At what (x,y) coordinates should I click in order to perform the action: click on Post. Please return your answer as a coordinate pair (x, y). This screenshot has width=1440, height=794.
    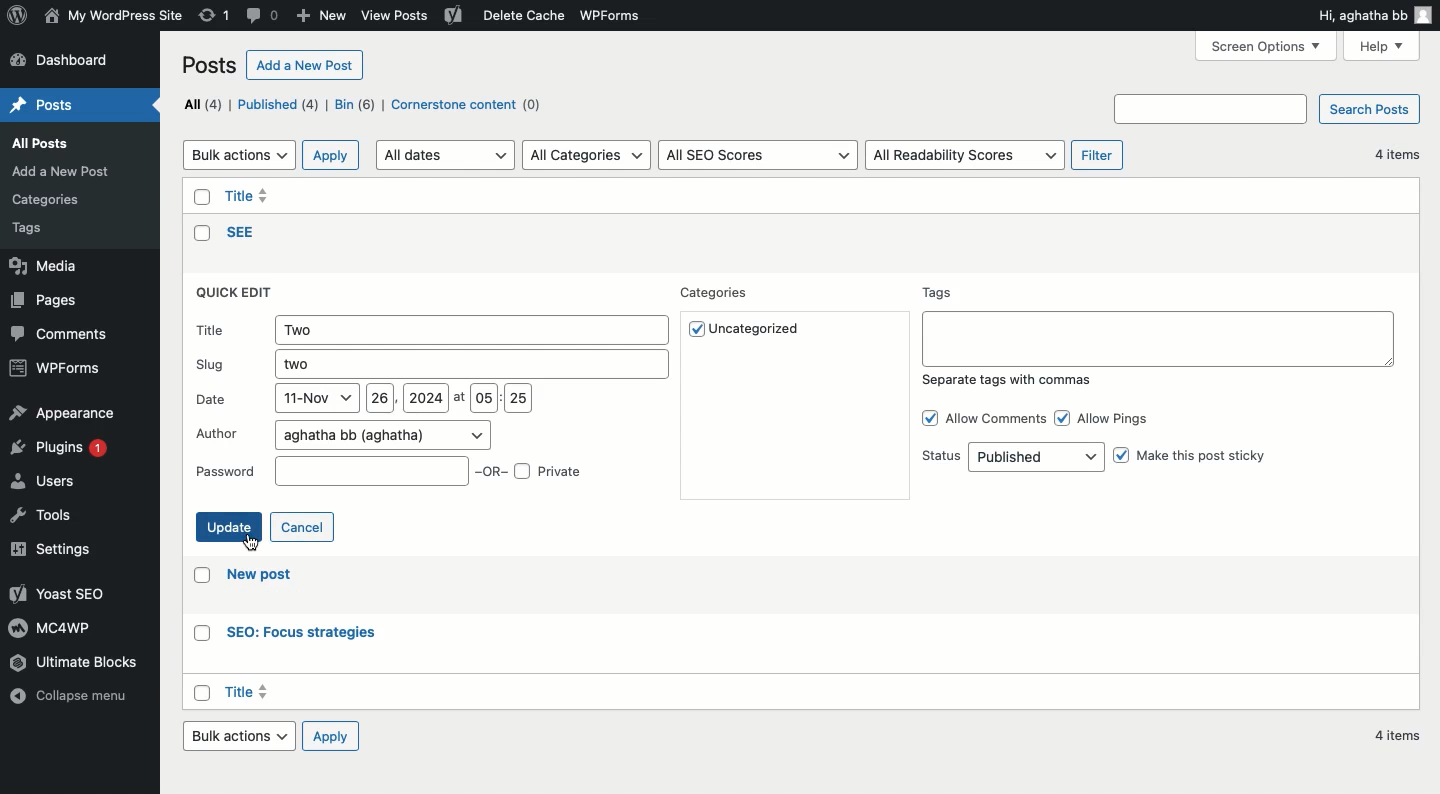
    Looking at the image, I should click on (49, 105).